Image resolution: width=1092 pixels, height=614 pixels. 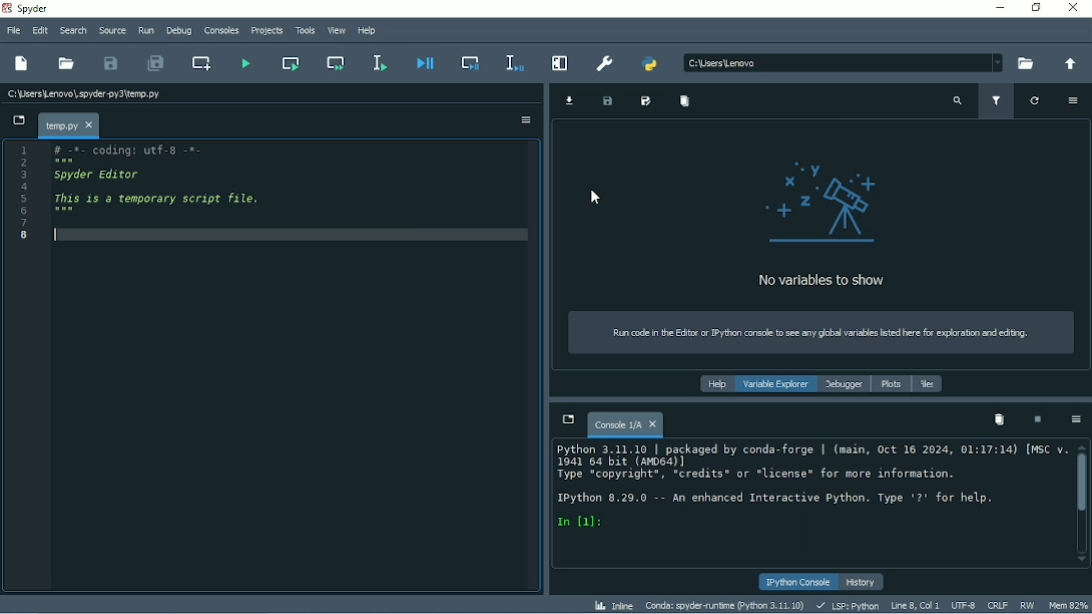 I want to click on Mem, so click(x=1068, y=606).